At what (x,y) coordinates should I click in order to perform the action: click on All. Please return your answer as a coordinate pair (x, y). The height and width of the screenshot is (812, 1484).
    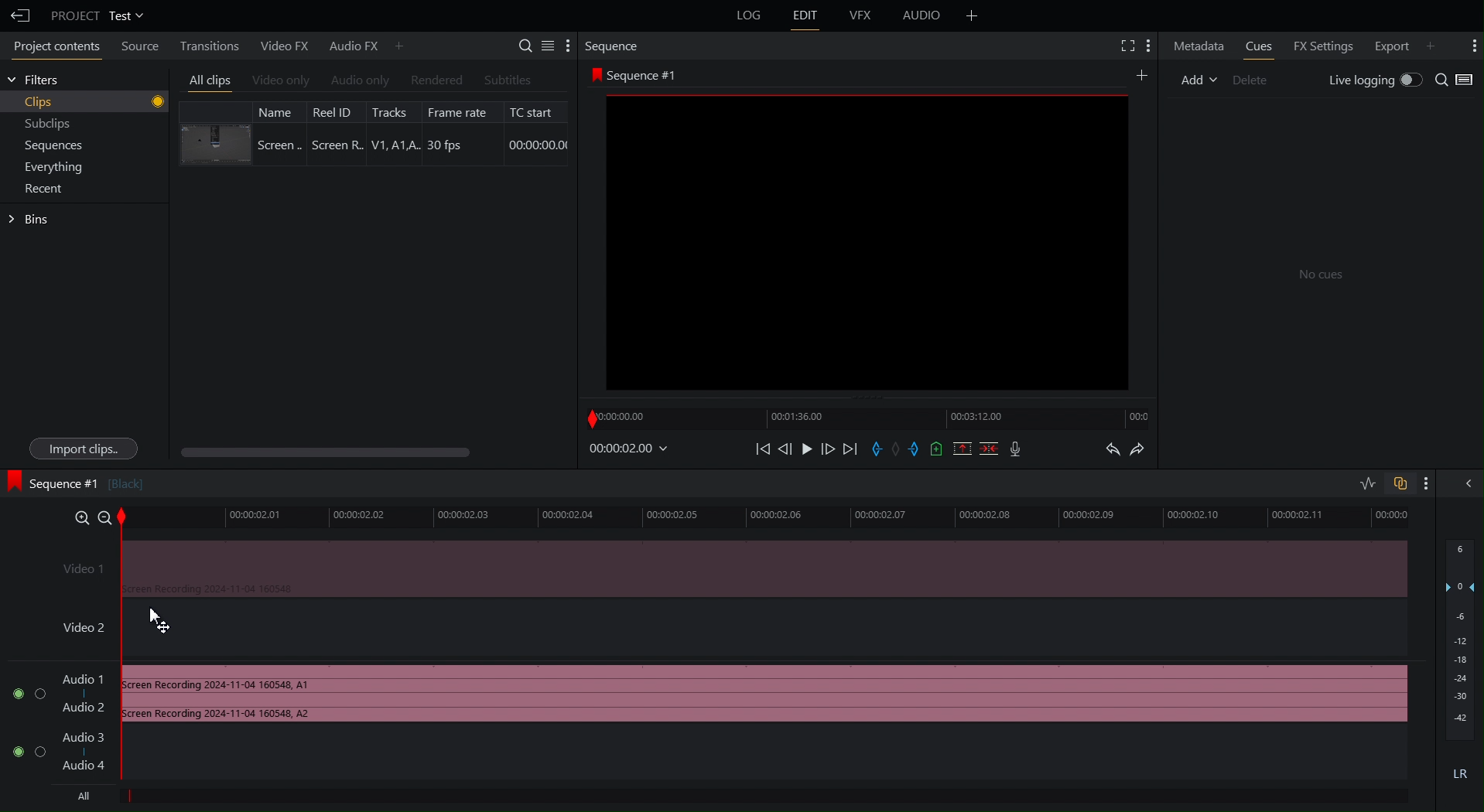
    Looking at the image, I should click on (89, 797).